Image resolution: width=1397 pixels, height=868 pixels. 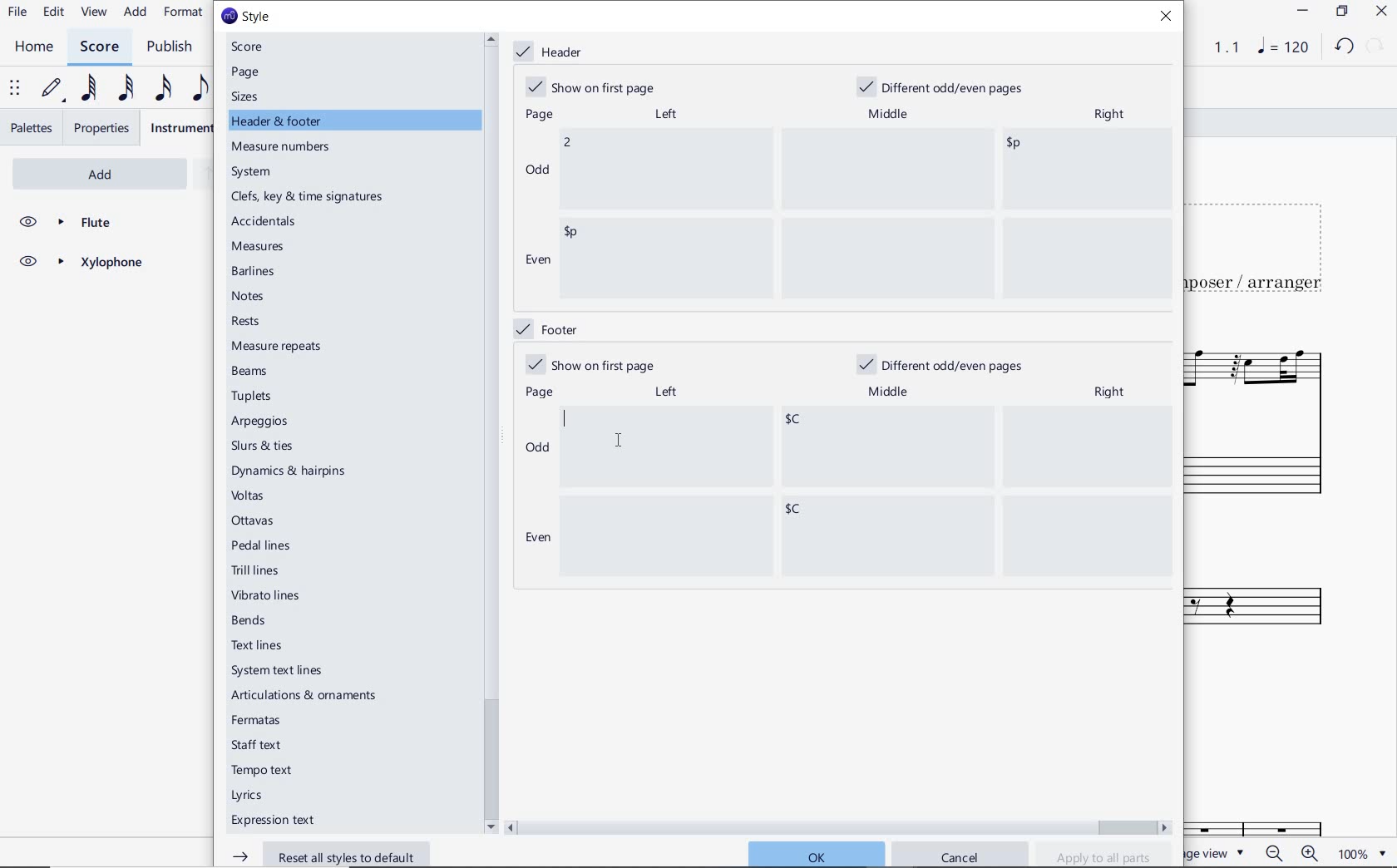 What do you see at coordinates (184, 13) in the screenshot?
I see `FORMAT` at bounding box center [184, 13].